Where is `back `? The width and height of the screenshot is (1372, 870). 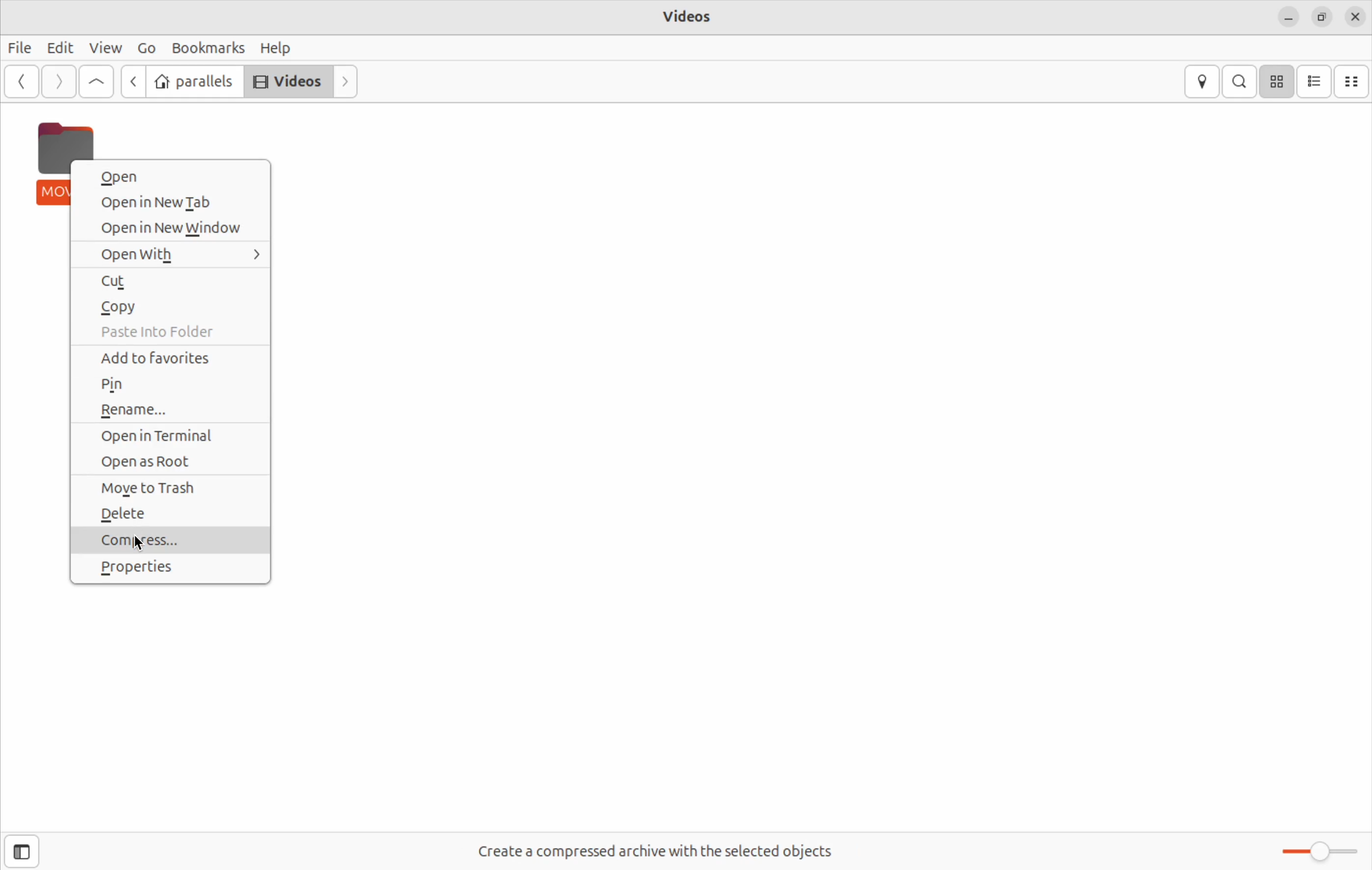
back  is located at coordinates (23, 81).